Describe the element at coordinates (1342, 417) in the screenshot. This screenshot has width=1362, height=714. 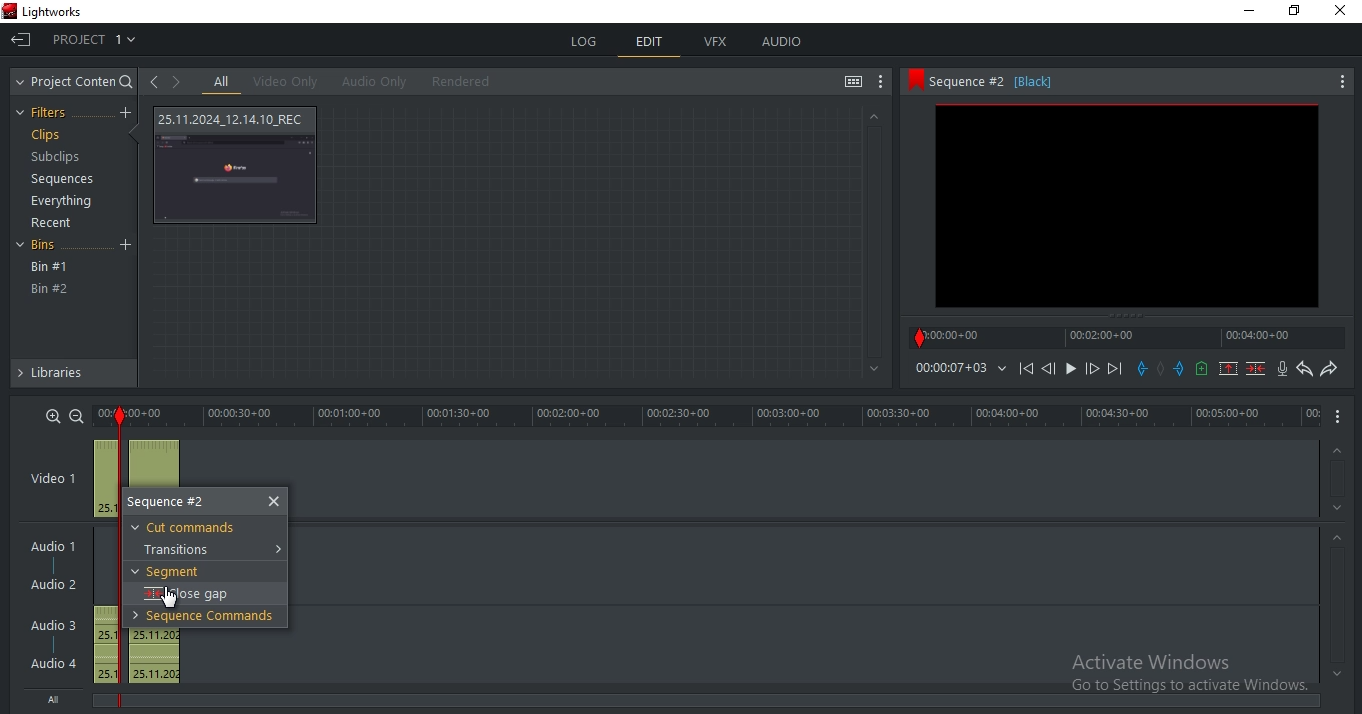
I see `More Options` at that location.